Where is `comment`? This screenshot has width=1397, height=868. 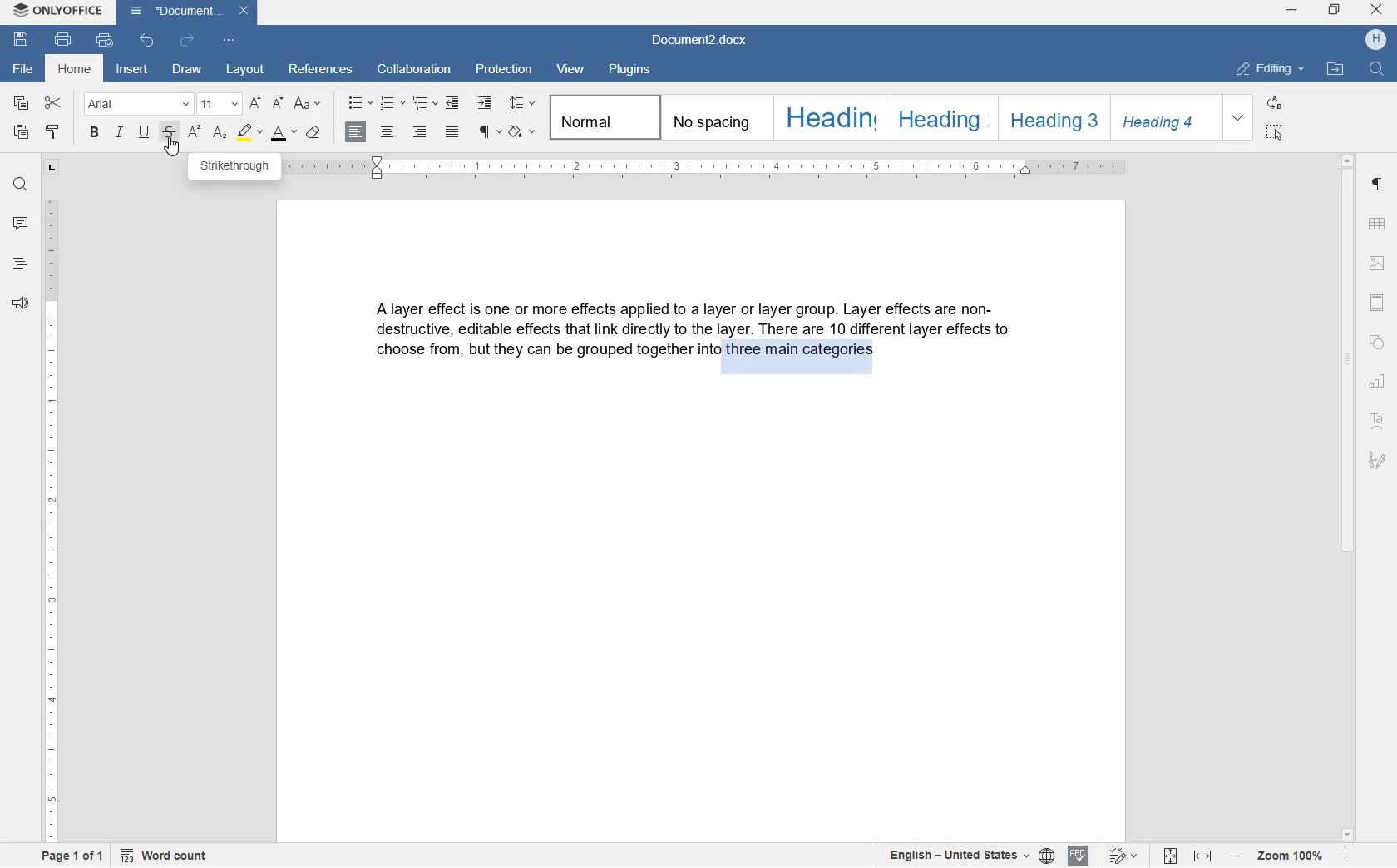
comment is located at coordinates (20, 224).